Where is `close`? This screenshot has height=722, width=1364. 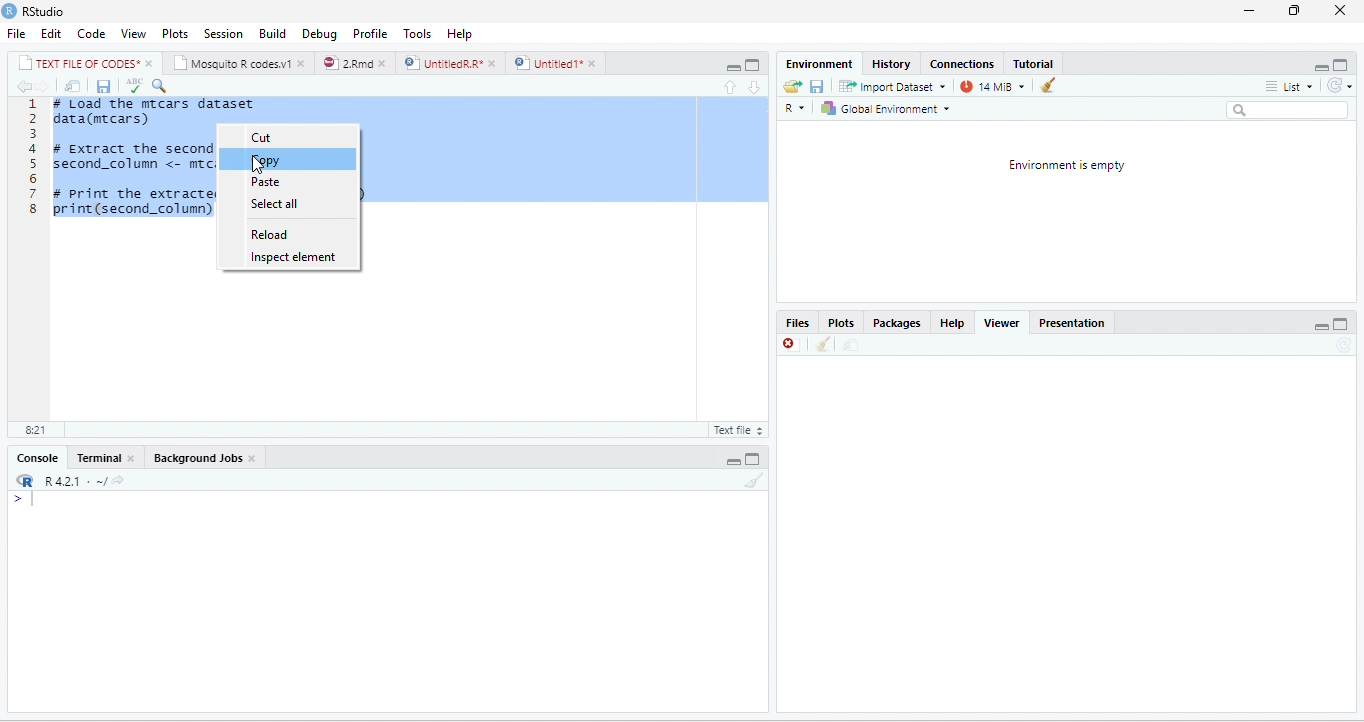 close is located at coordinates (1340, 10).